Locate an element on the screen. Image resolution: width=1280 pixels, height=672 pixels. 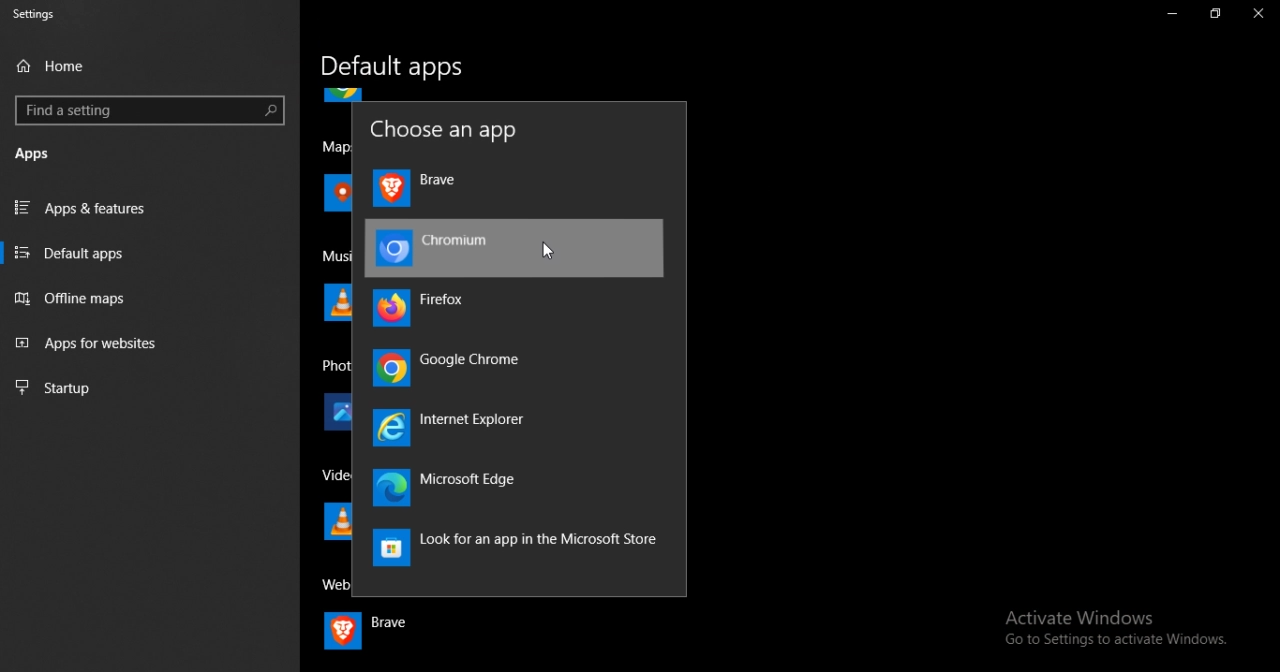
apps for websites is located at coordinates (147, 345).